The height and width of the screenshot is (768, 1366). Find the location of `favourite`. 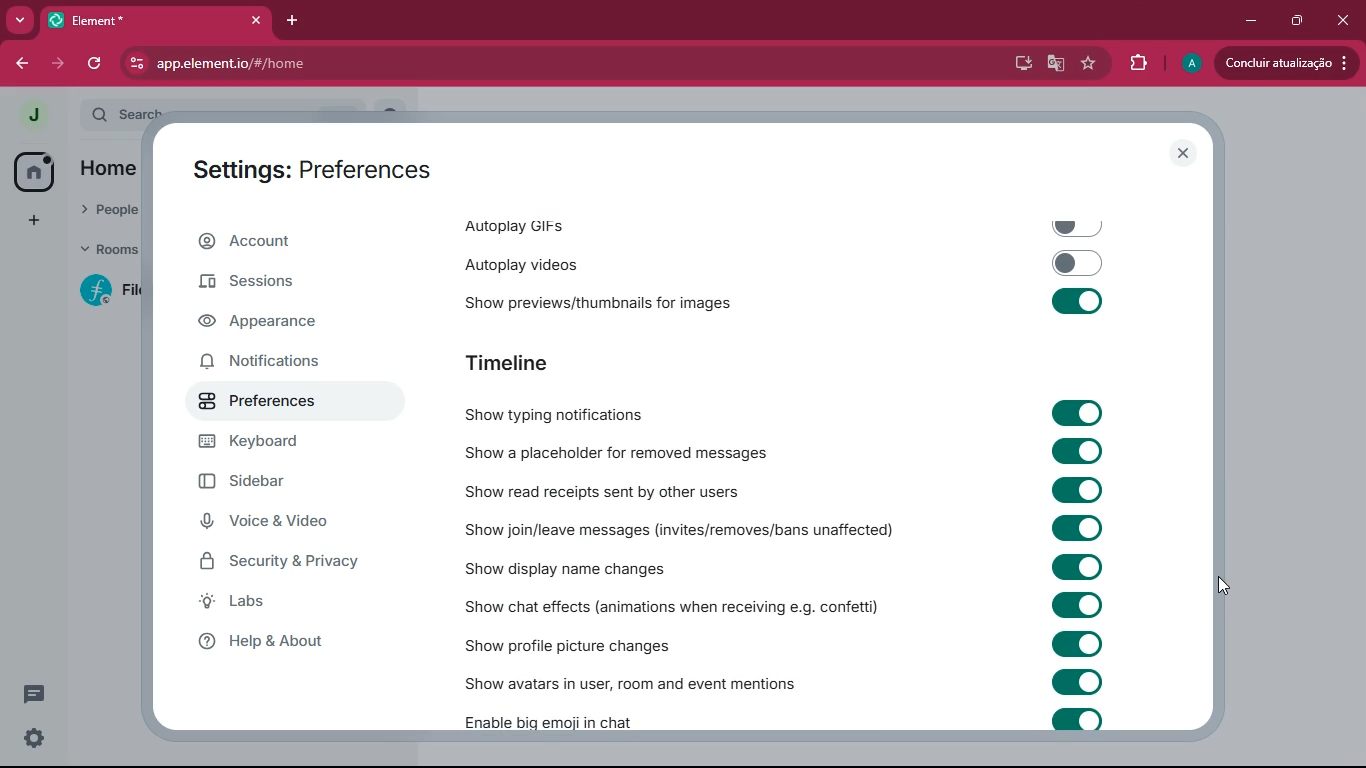

favourite is located at coordinates (1087, 65).